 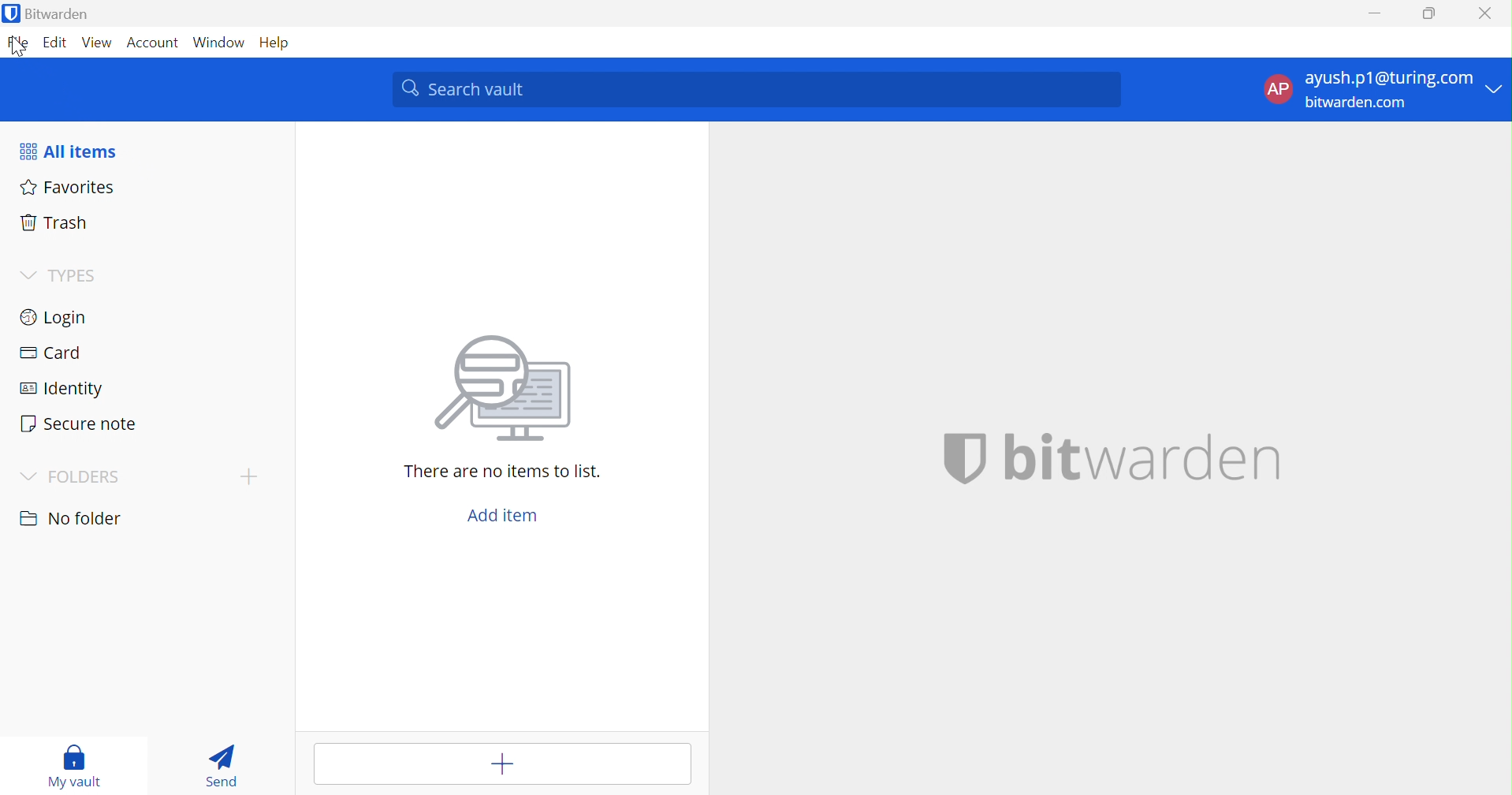 What do you see at coordinates (503, 390) in the screenshot?
I see `Searching for file vector image` at bounding box center [503, 390].